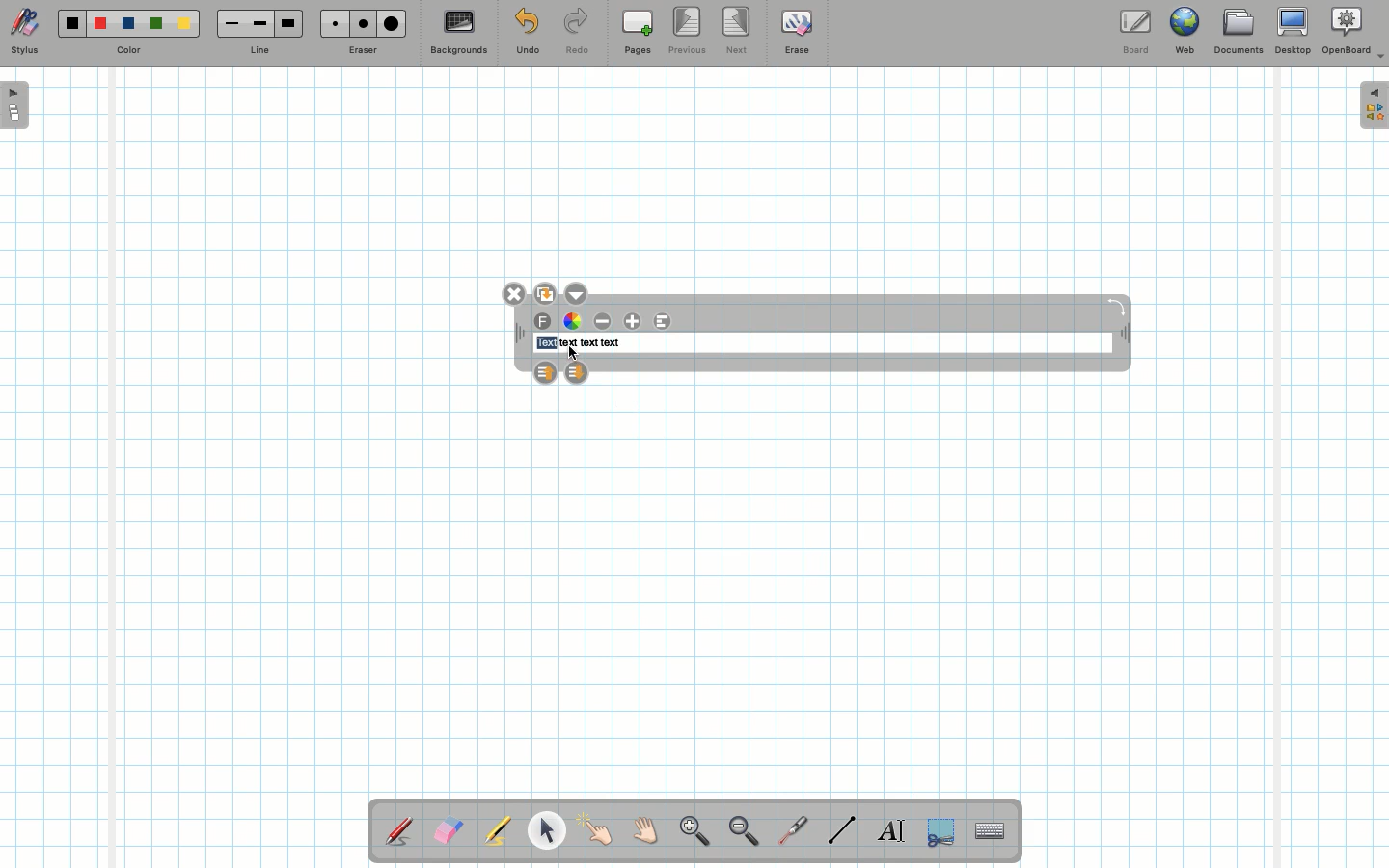  I want to click on Line, so click(842, 829).